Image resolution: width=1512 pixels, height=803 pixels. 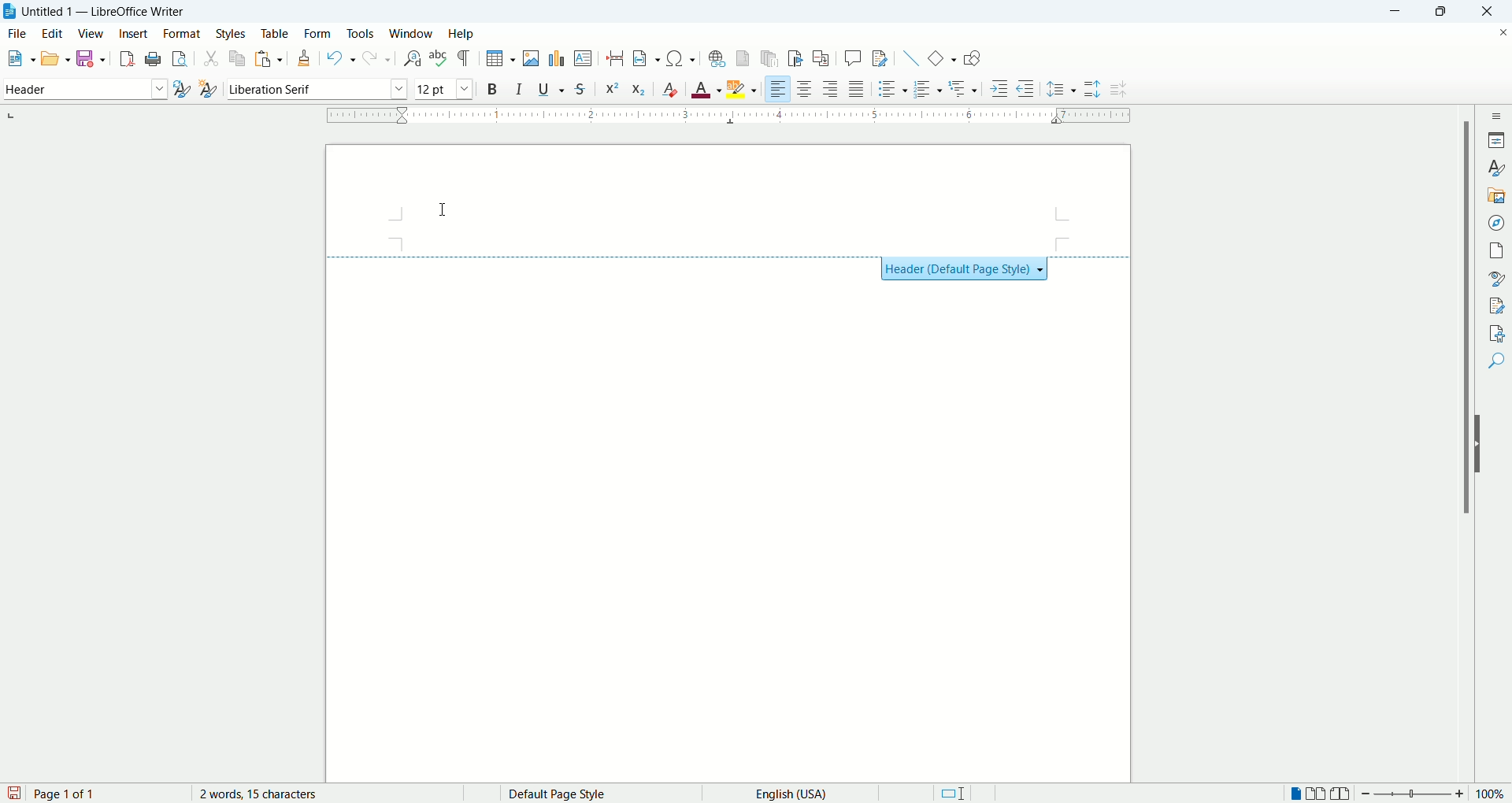 I want to click on insert footnote, so click(x=718, y=59).